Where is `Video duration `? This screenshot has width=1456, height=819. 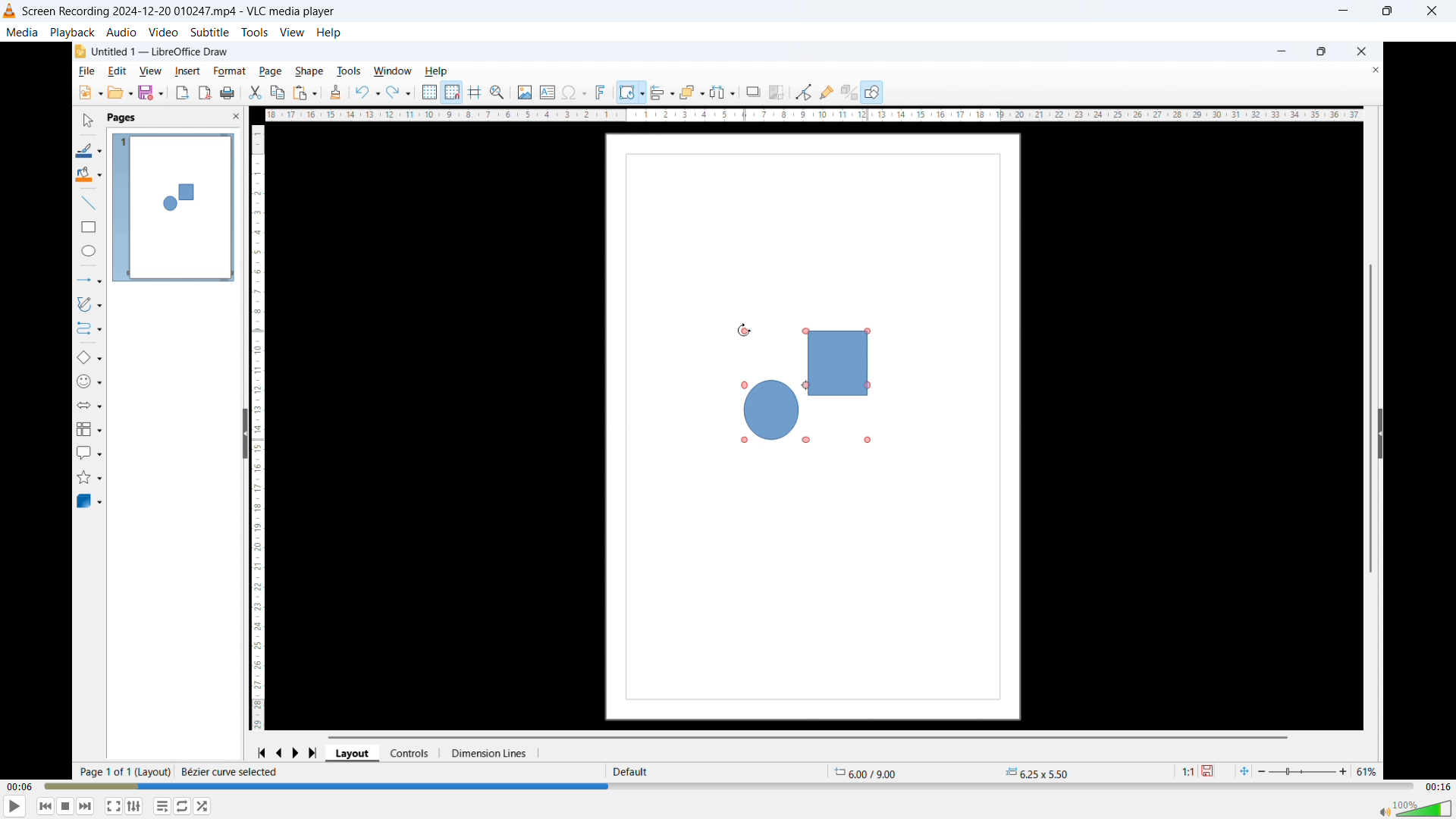
Video duration  is located at coordinates (1438, 787).